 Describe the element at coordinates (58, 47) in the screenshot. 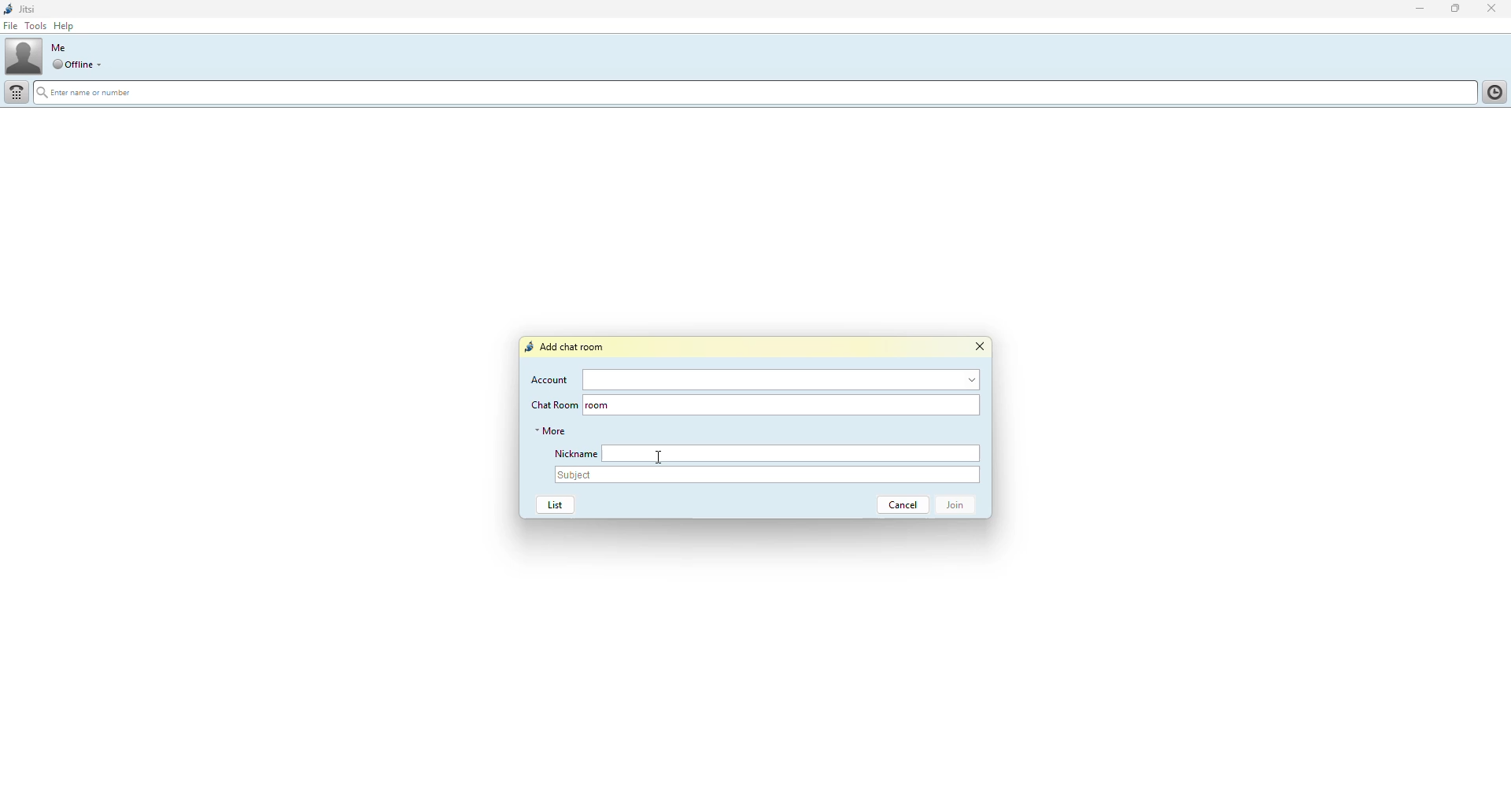

I see `me` at that location.